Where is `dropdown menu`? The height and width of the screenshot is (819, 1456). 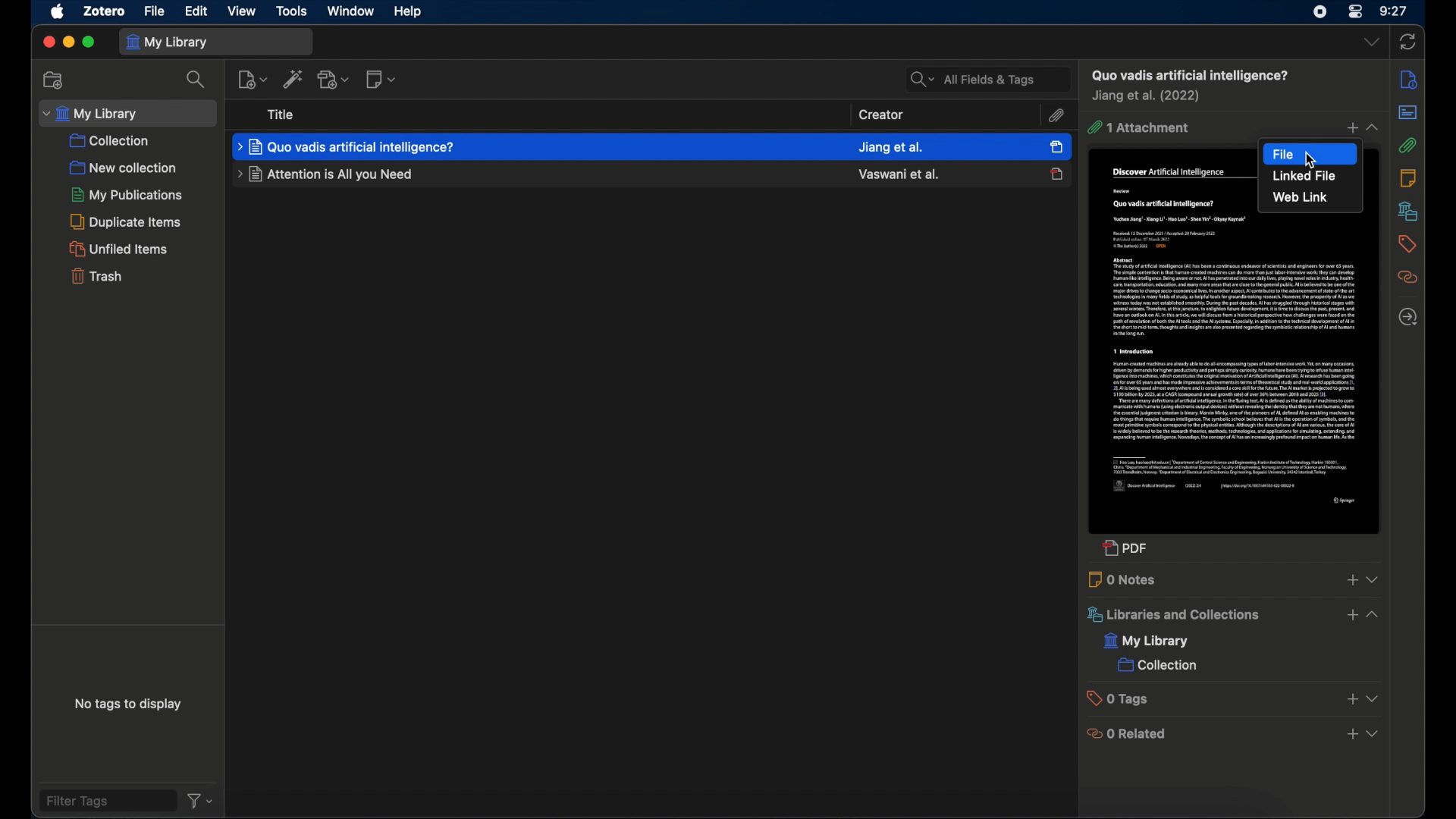
dropdown menu is located at coordinates (1375, 735).